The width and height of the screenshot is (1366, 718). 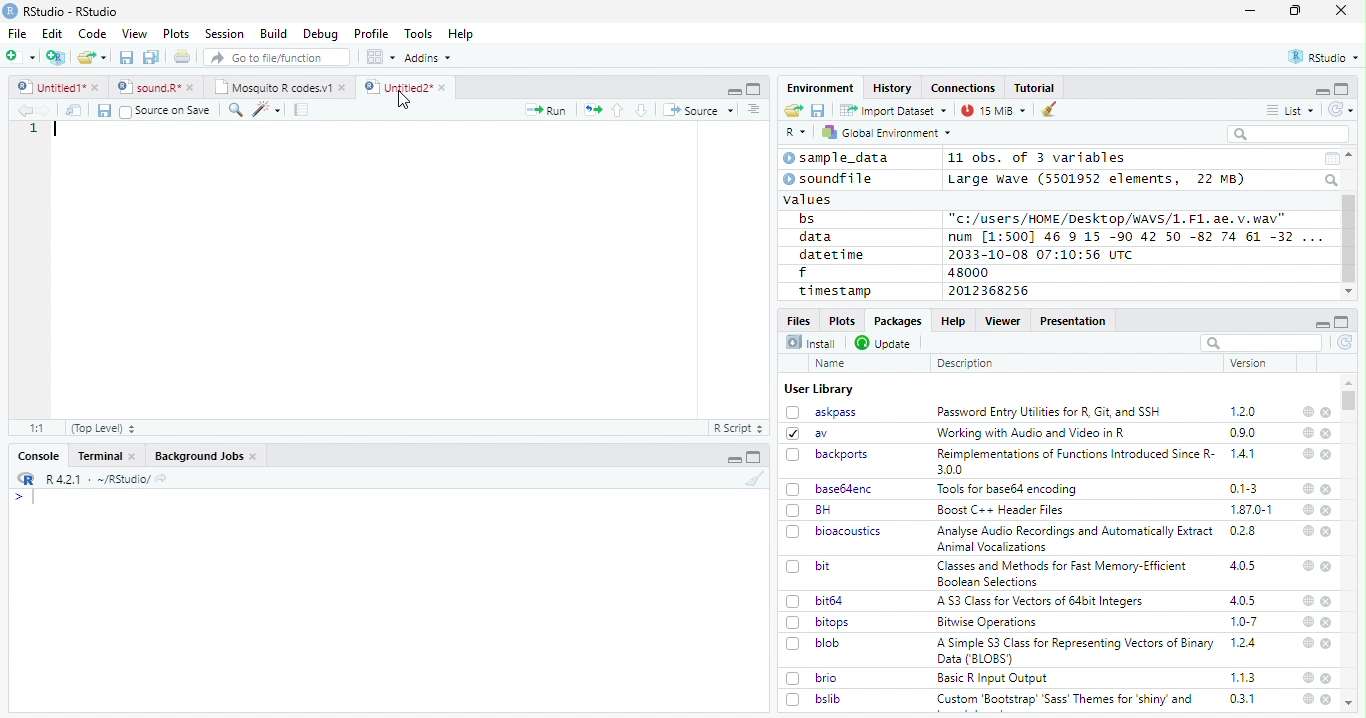 I want to click on Refresh, so click(x=1346, y=344).